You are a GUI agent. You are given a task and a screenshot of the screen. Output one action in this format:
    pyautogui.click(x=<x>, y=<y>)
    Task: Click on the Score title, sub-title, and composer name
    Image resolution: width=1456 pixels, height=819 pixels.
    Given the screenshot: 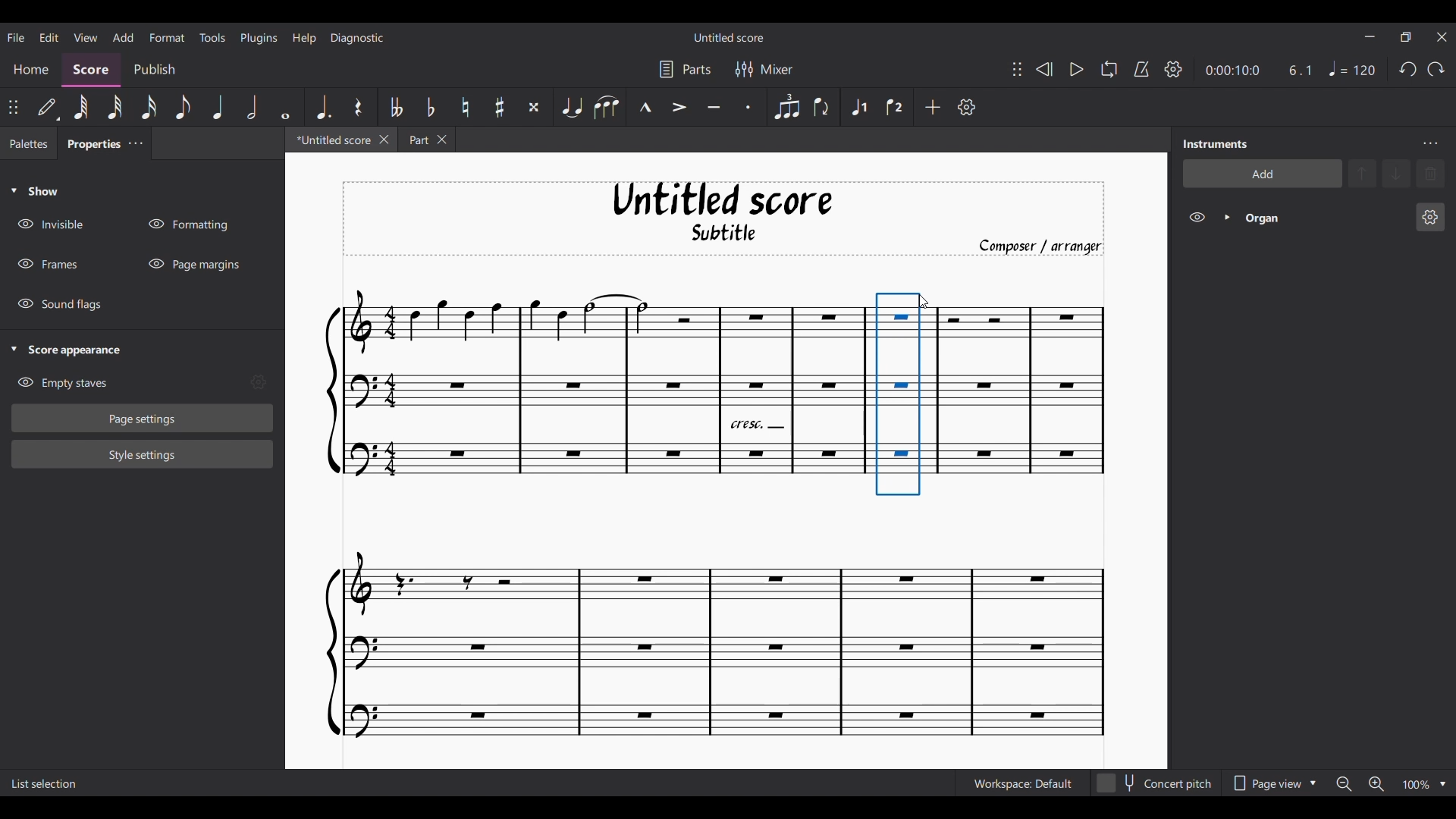 What is the action you would take?
    pyautogui.click(x=723, y=219)
    